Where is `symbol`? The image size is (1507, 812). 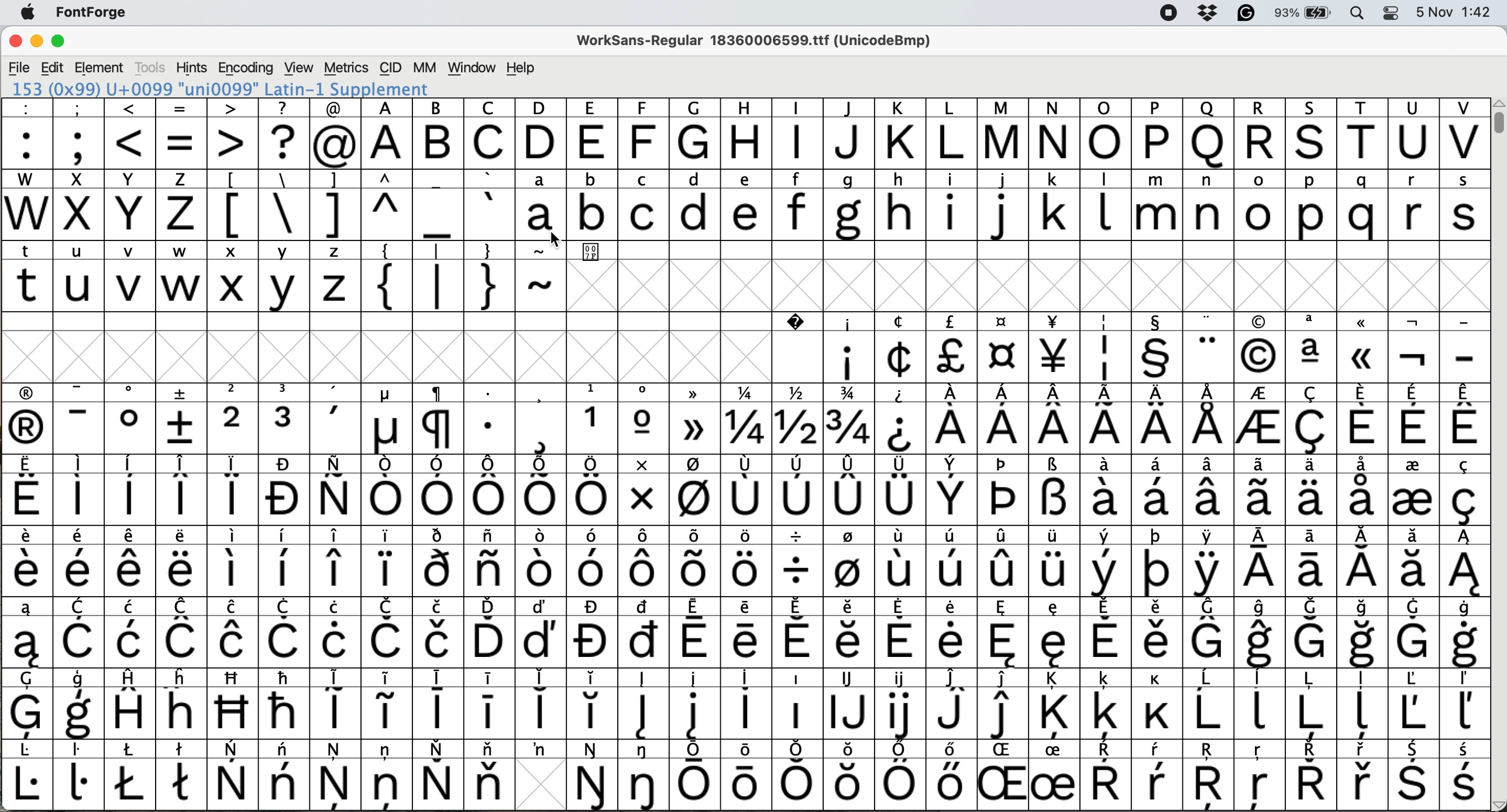 symbol is located at coordinates (1364, 562).